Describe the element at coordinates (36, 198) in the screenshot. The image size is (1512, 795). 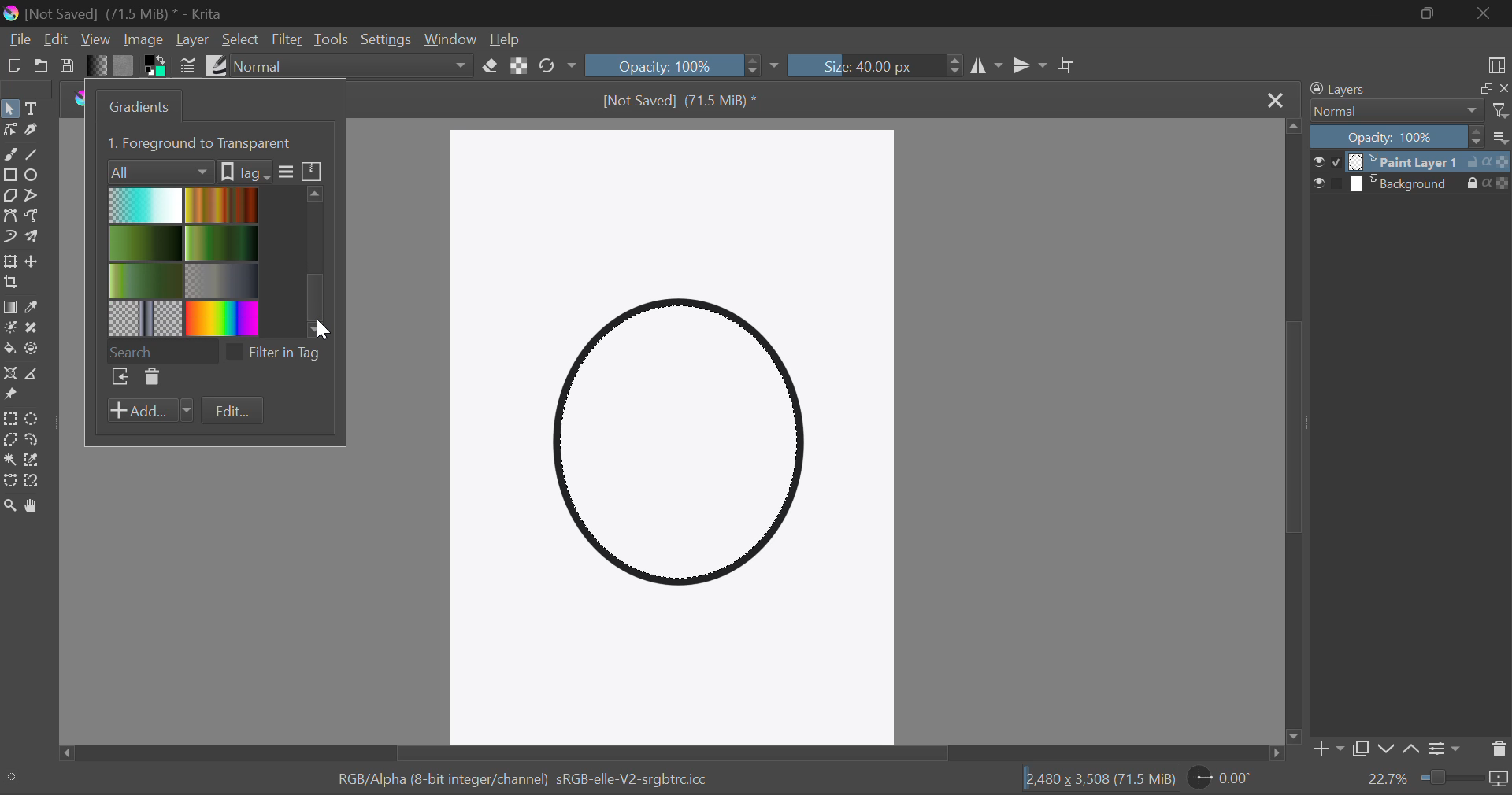
I see `Polyline` at that location.